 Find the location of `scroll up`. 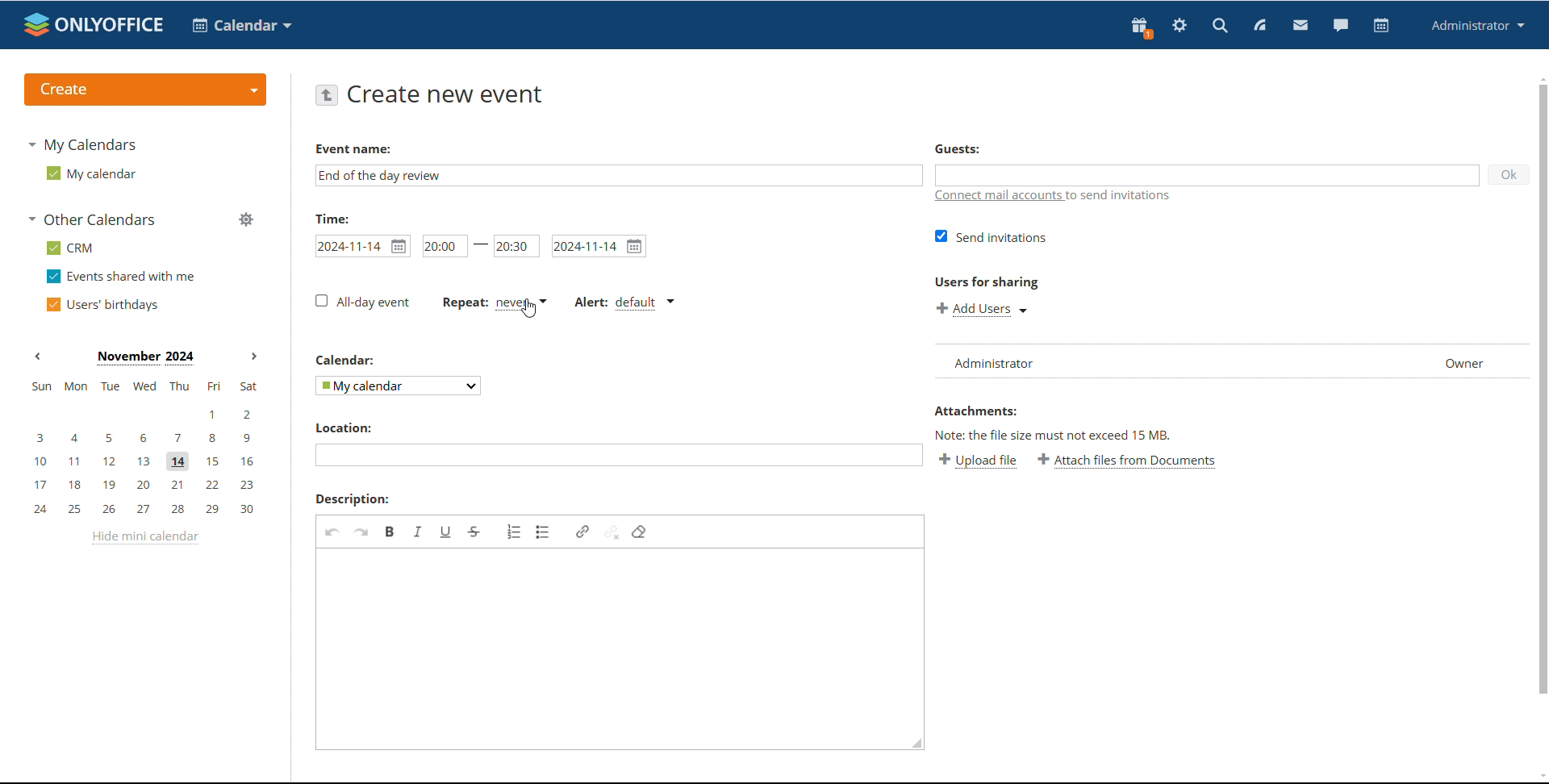

scroll up is located at coordinates (1539, 77).